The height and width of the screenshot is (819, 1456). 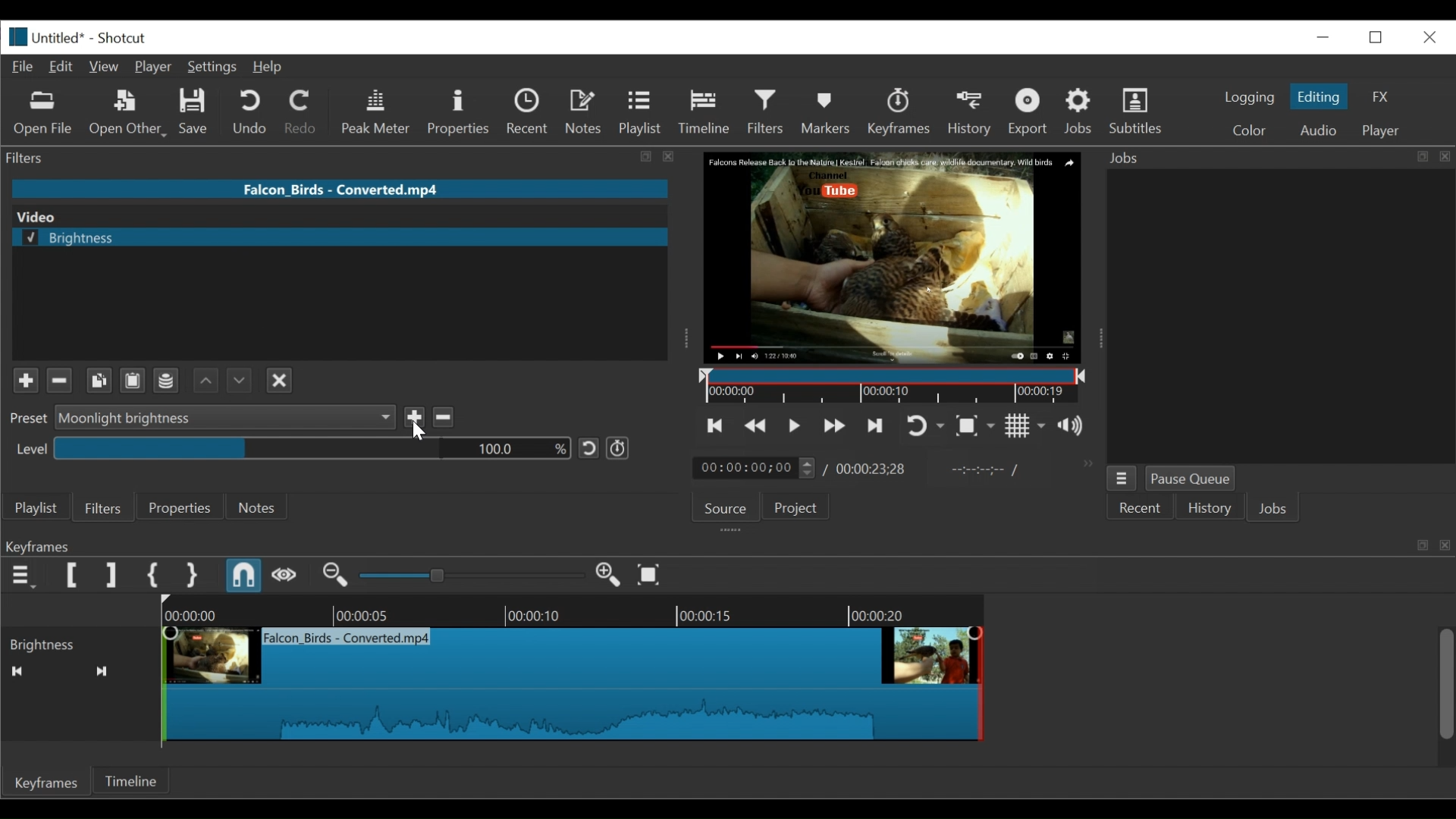 What do you see at coordinates (124, 38) in the screenshot?
I see `Shotcut` at bounding box center [124, 38].